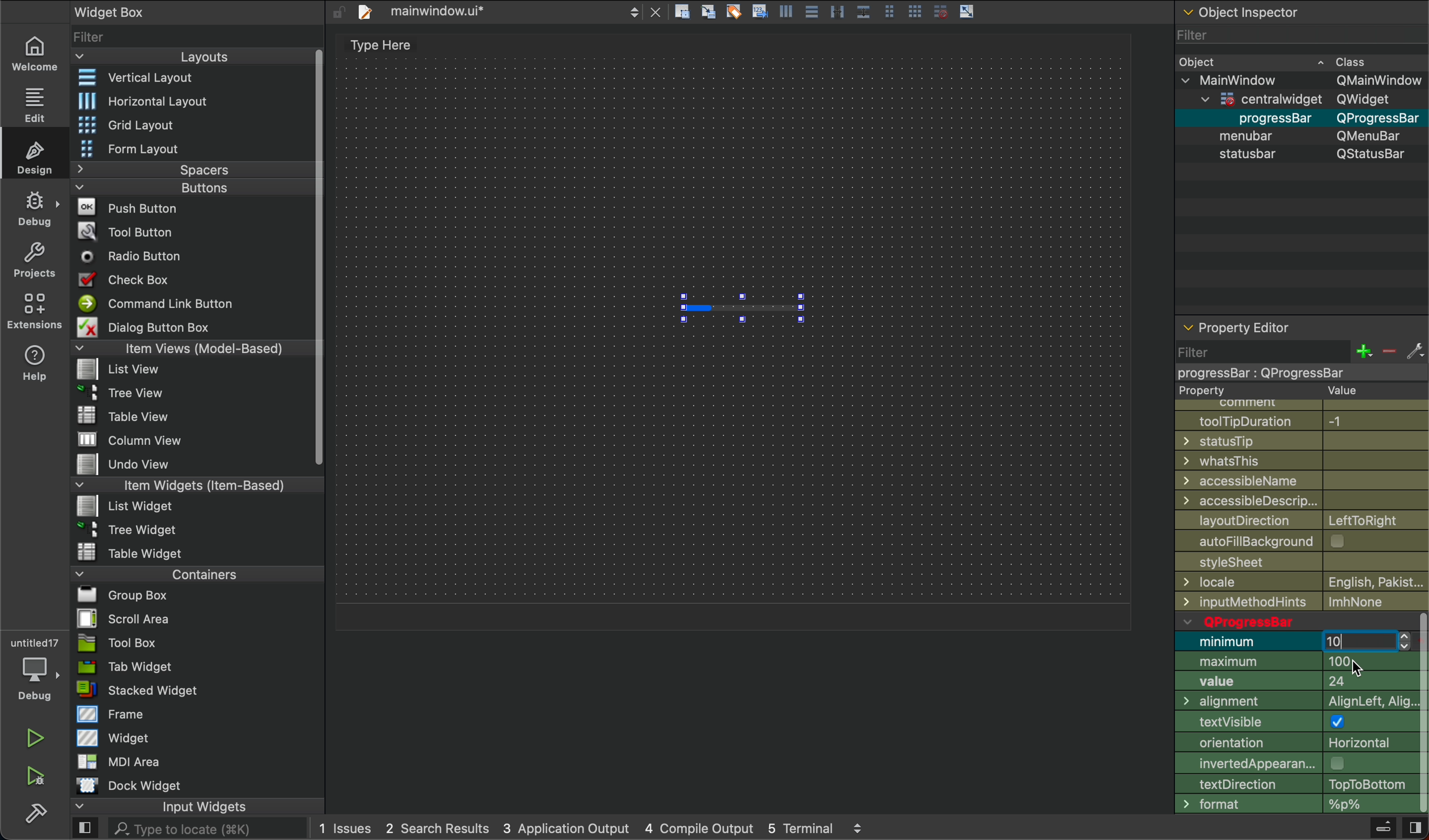  I want to click on filter, so click(1299, 360).